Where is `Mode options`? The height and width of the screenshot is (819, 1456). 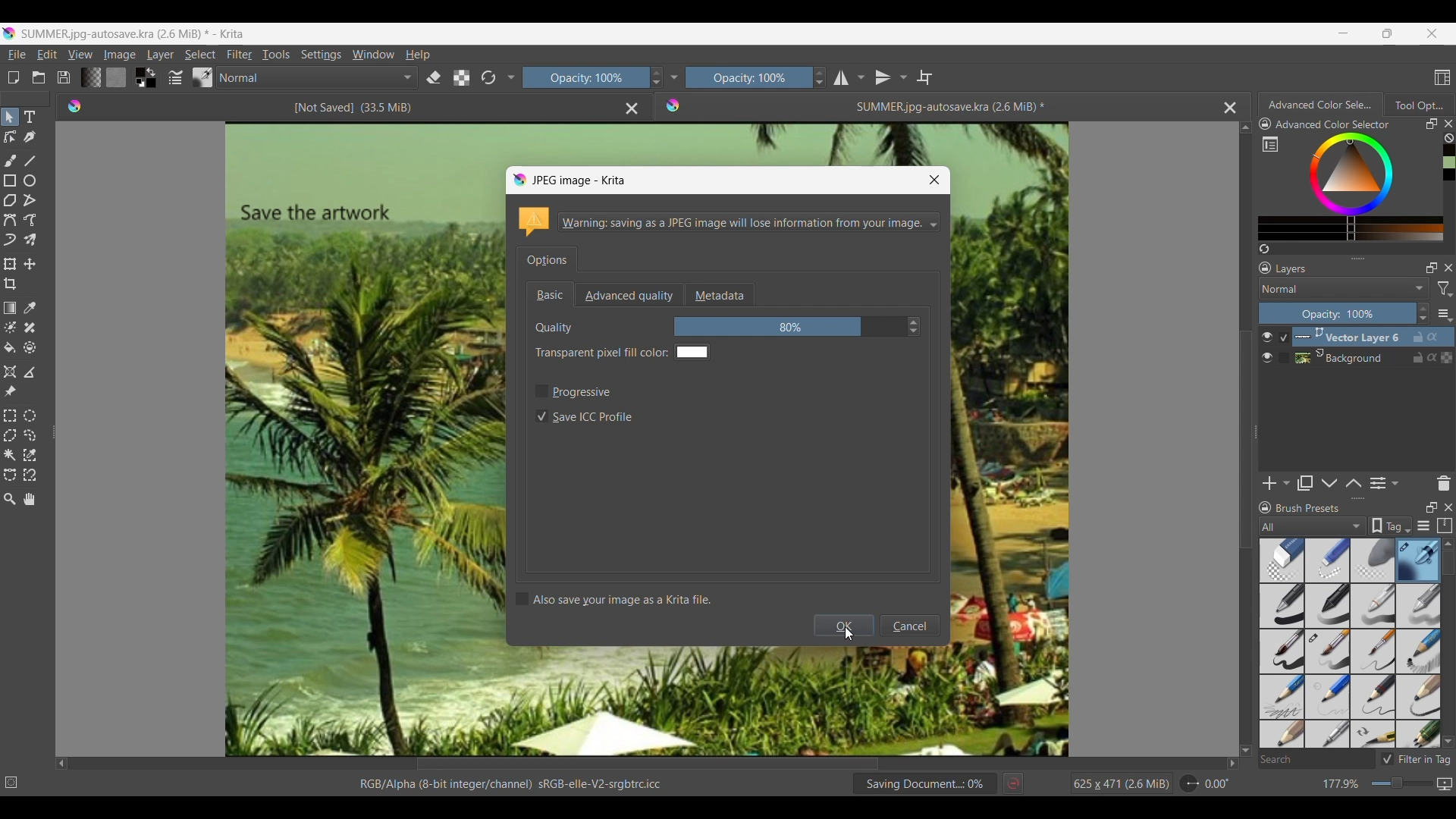
Mode options is located at coordinates (1345, 288).